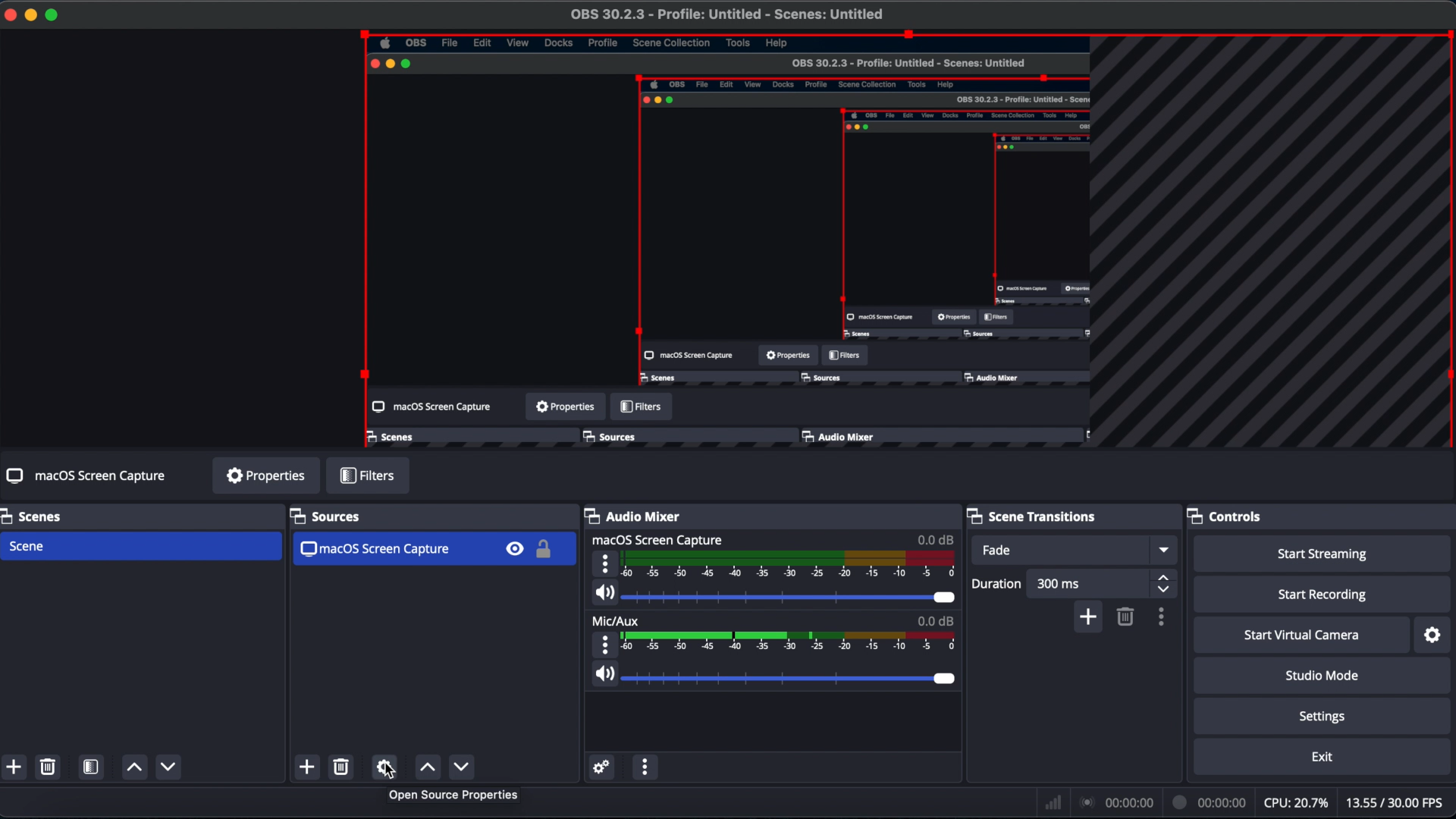  I want to click on sources, so click(322, 516).